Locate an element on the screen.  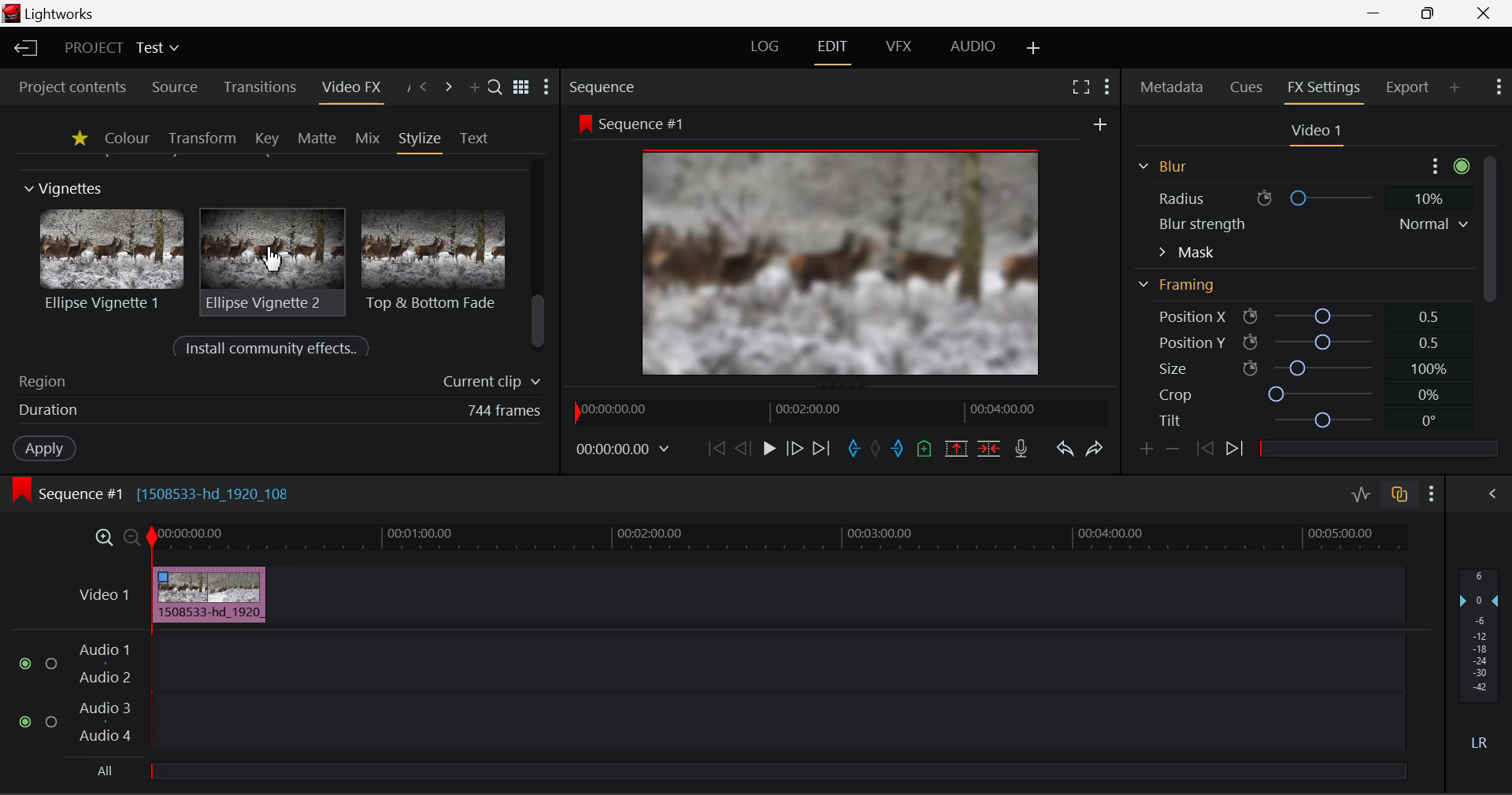
Restore Down is located at coordinates (1378, 13).